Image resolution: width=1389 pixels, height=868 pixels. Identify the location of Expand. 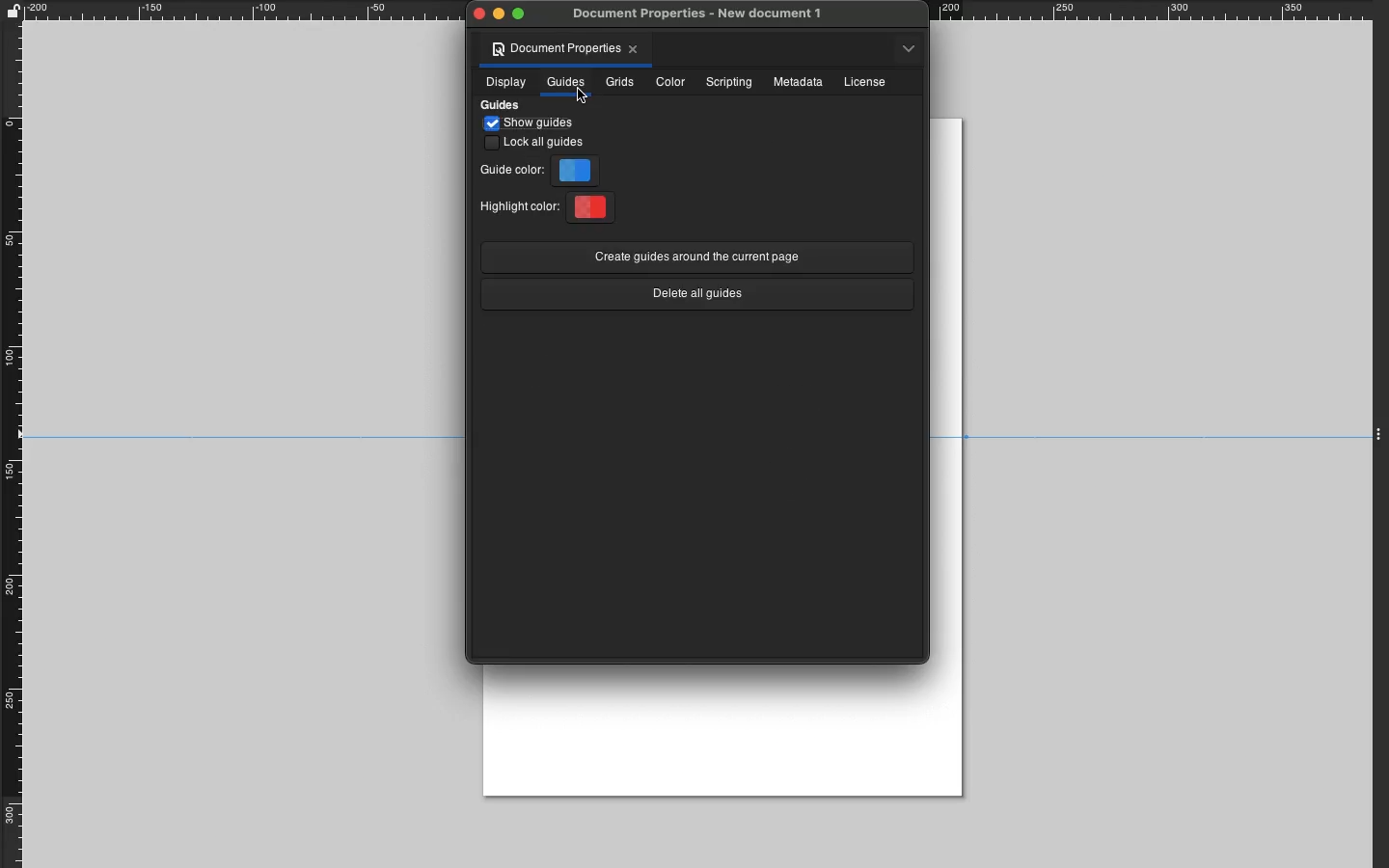
(1380, 432).